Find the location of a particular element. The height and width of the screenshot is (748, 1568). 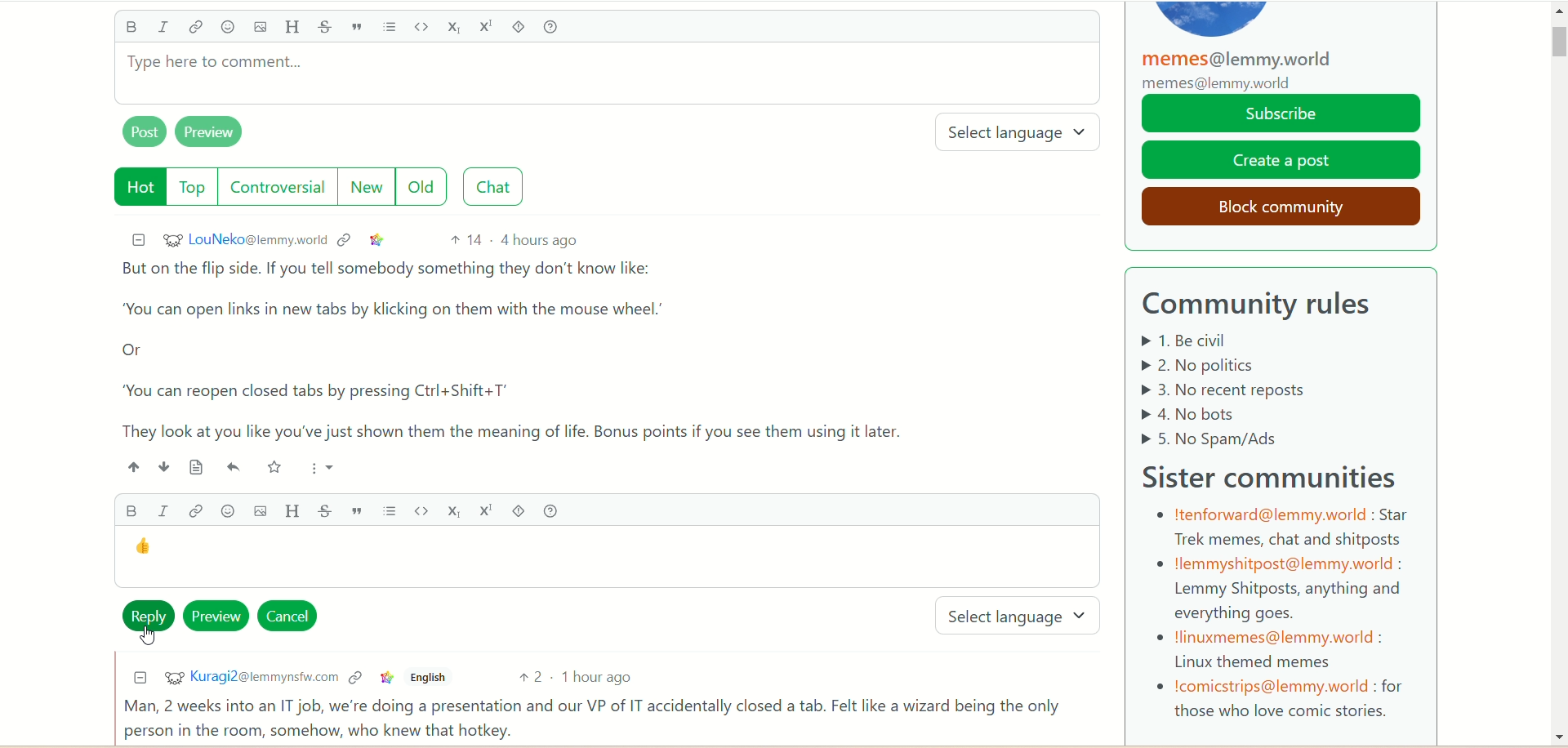

image is located at coordinates (259, 29).